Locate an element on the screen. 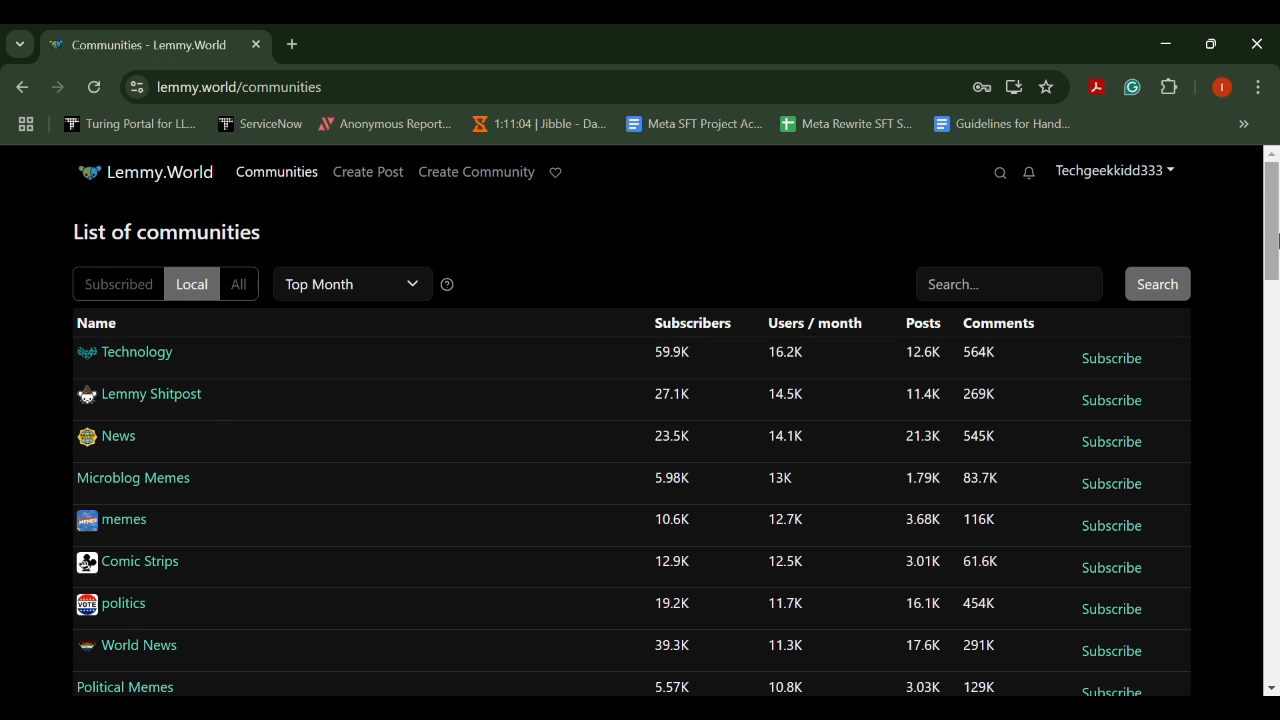 Image resolution: width=1280 pixels, height=720 pixels. Users/month is located at coordinates (816, 322).